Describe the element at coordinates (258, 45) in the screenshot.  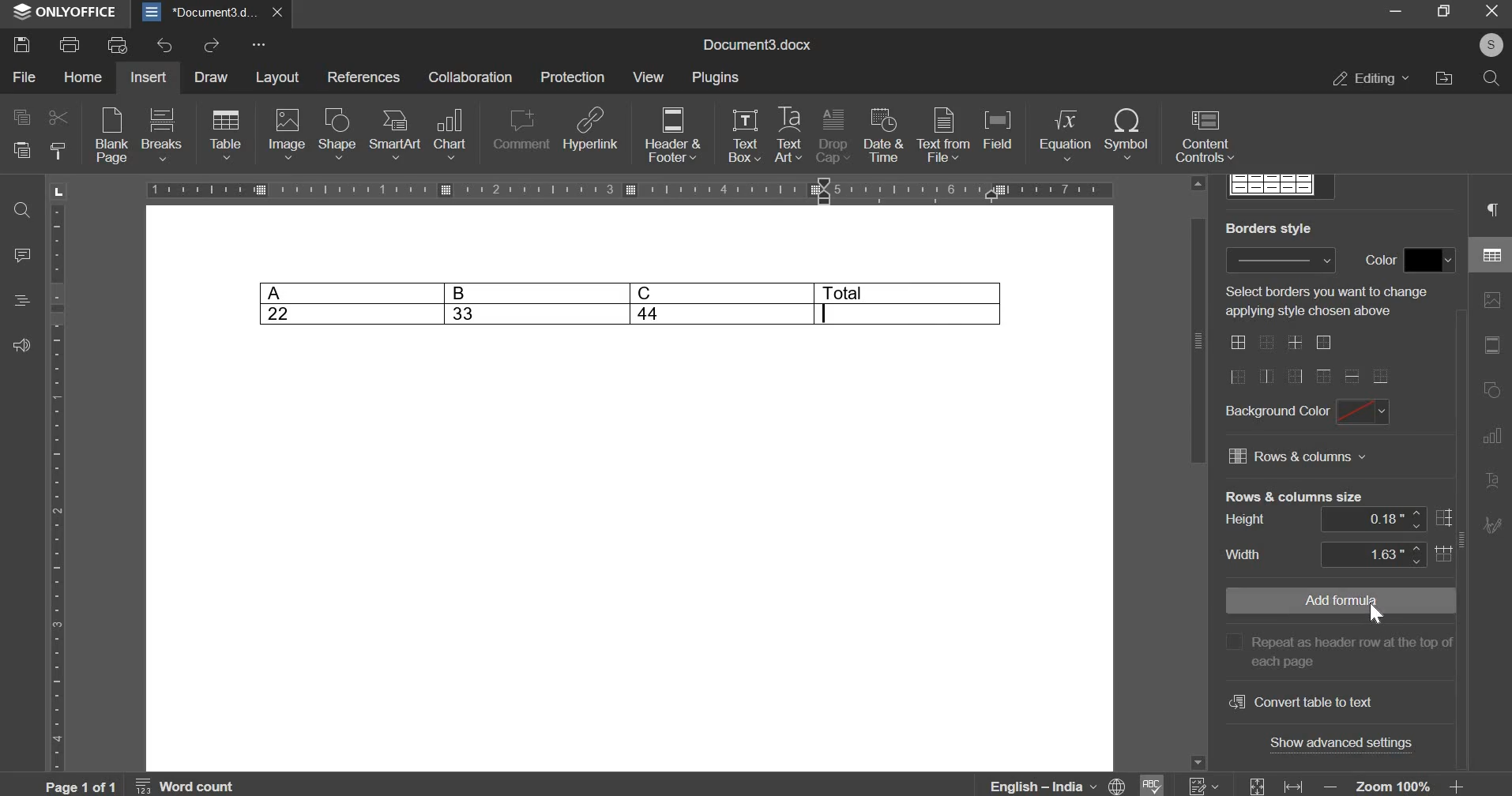
I see `customize quick access` at that location.